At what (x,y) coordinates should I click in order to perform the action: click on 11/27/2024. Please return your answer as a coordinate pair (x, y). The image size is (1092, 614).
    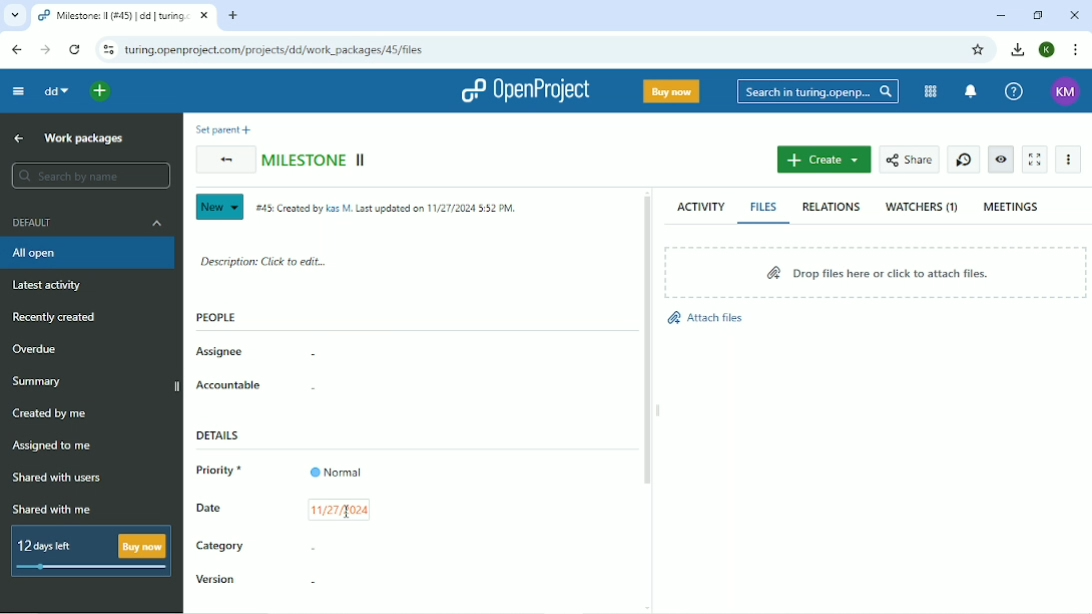
    Looking at the image, I should click on (339, 510).